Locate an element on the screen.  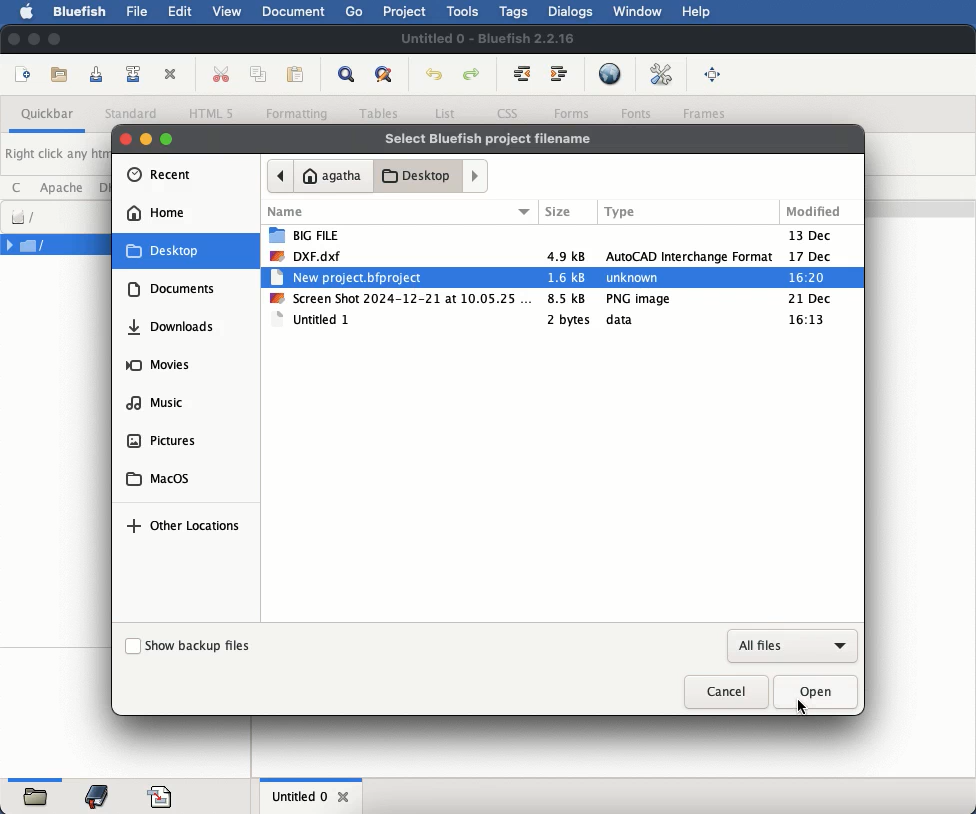
cut is located at coordinates (221, 73).